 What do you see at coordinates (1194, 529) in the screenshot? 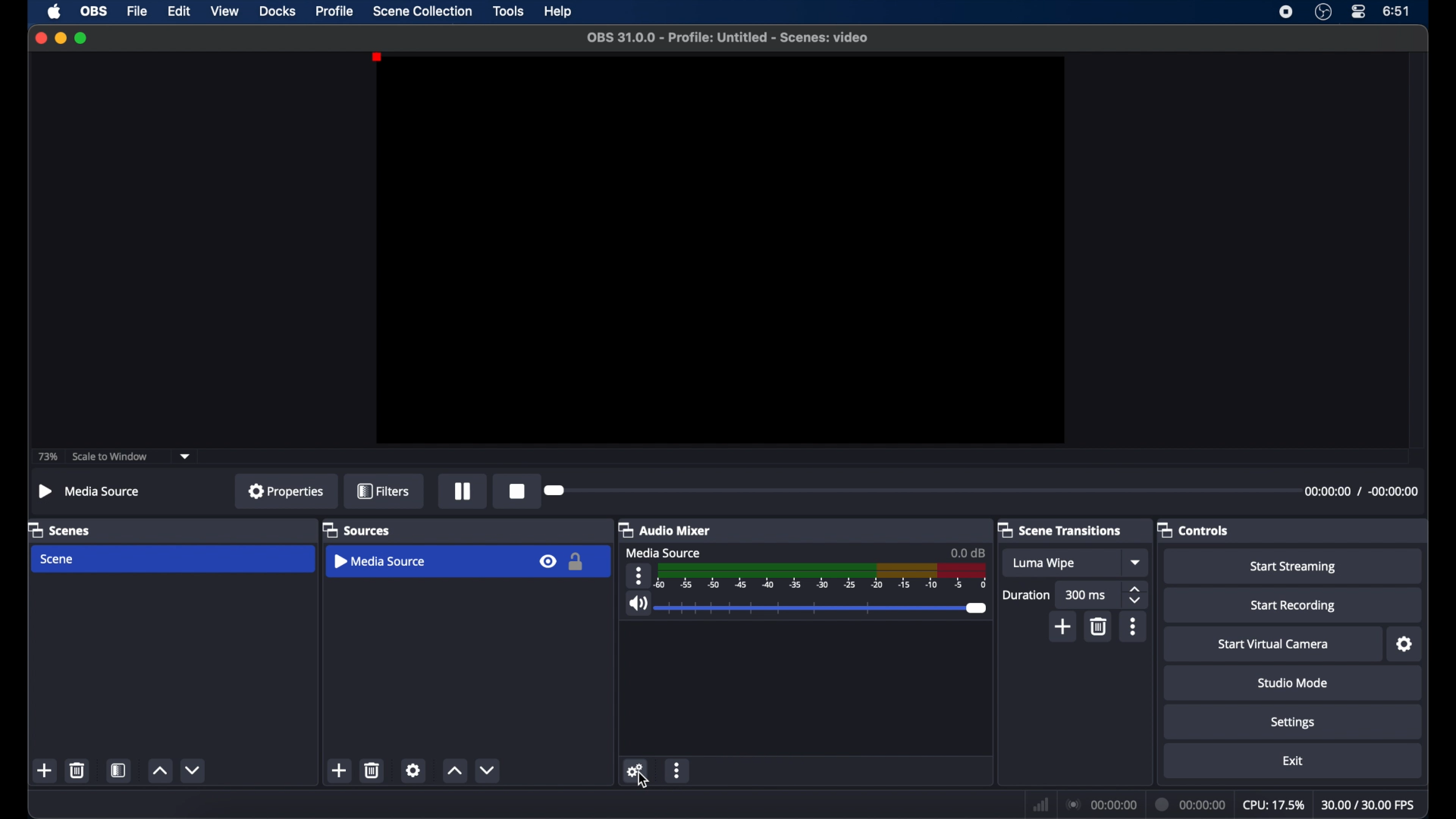
I see `controls` at bounding box center [1194, 529].